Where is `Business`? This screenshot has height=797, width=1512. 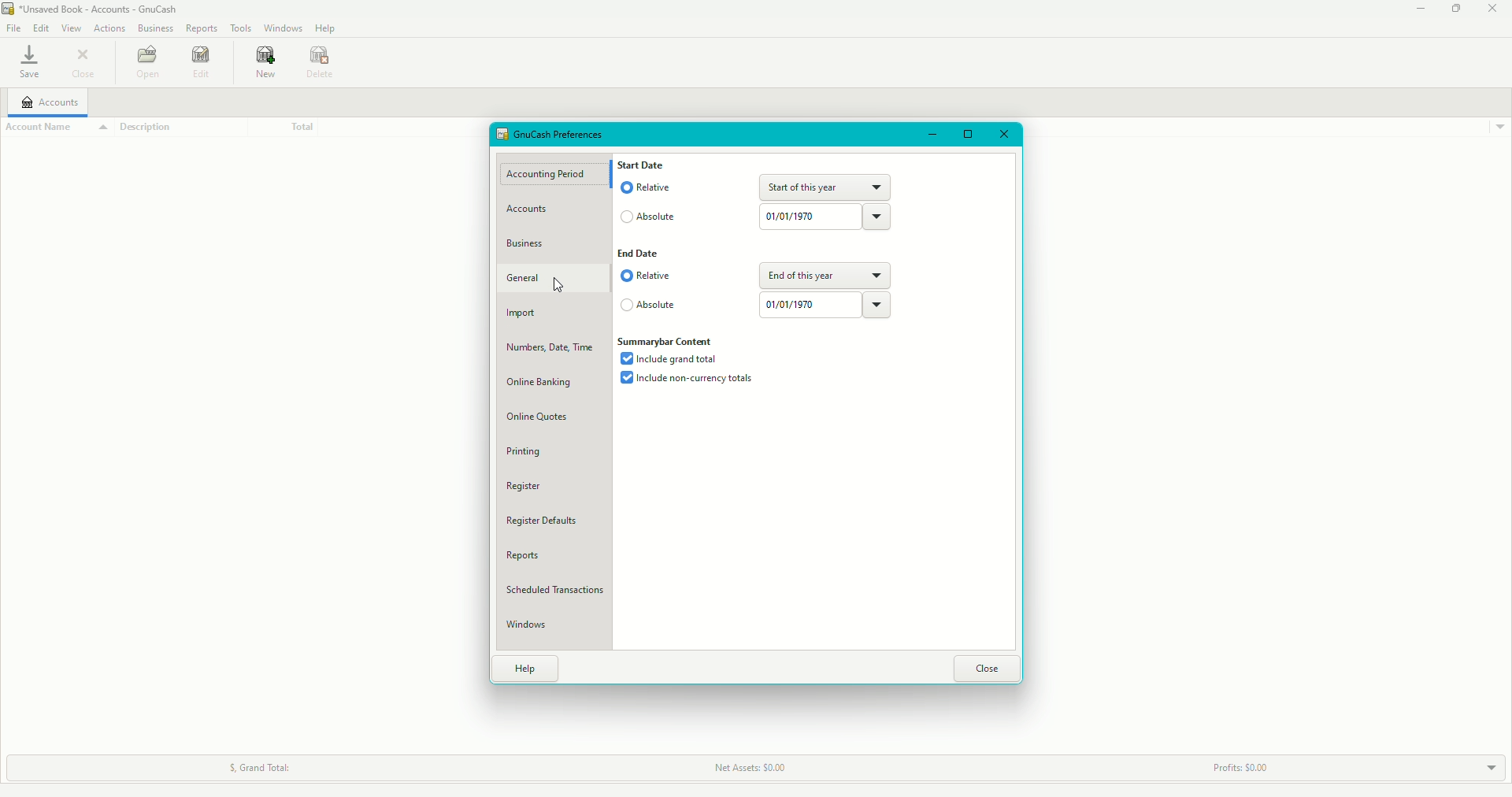 Business is located at coordinates (527, 242).